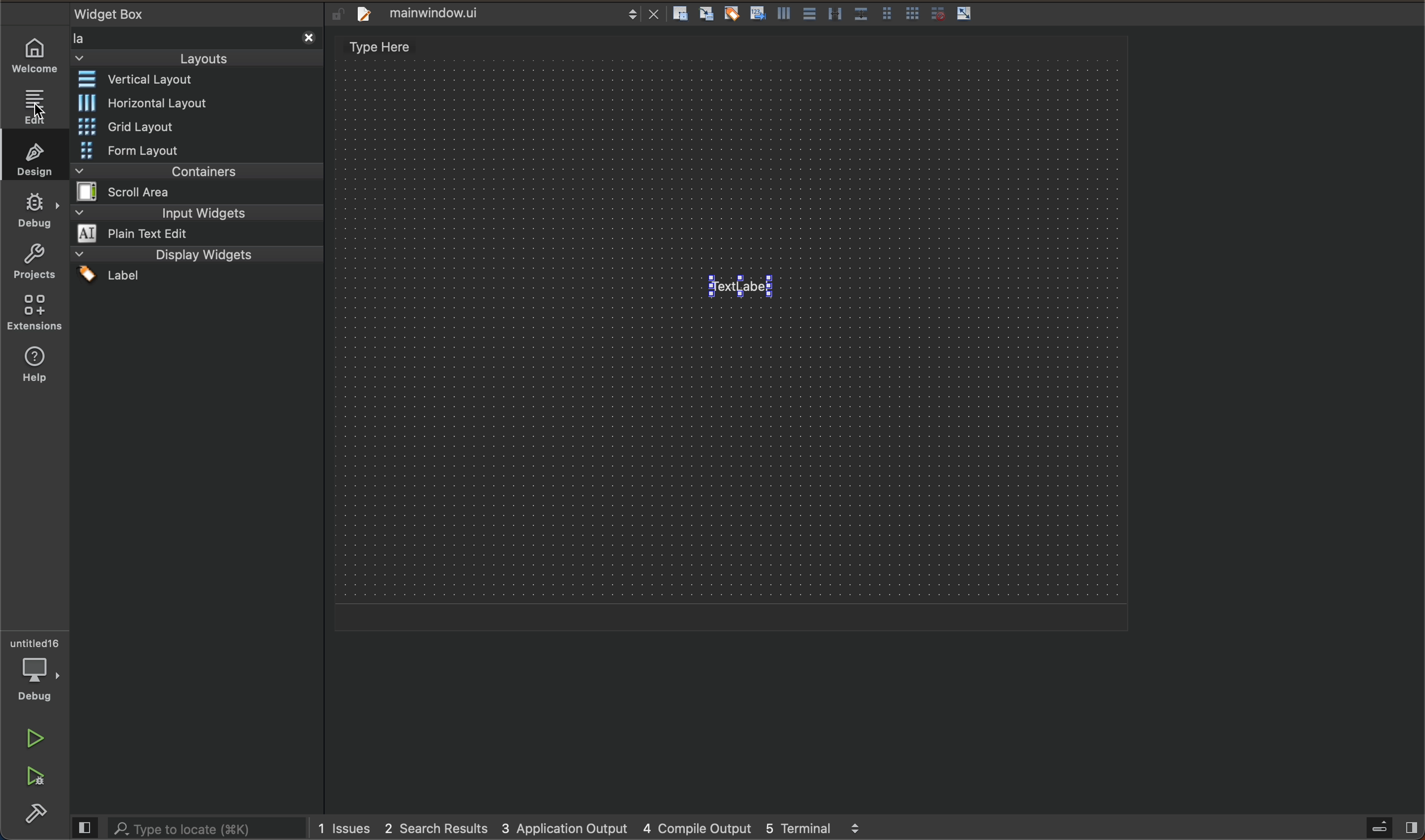 Image resolution: width=1425 pixels, height=840 pixels. What do you see at coordinates (808, 12) in the screenshot?
I see `vertical layout` at bounding box center [808, 12].